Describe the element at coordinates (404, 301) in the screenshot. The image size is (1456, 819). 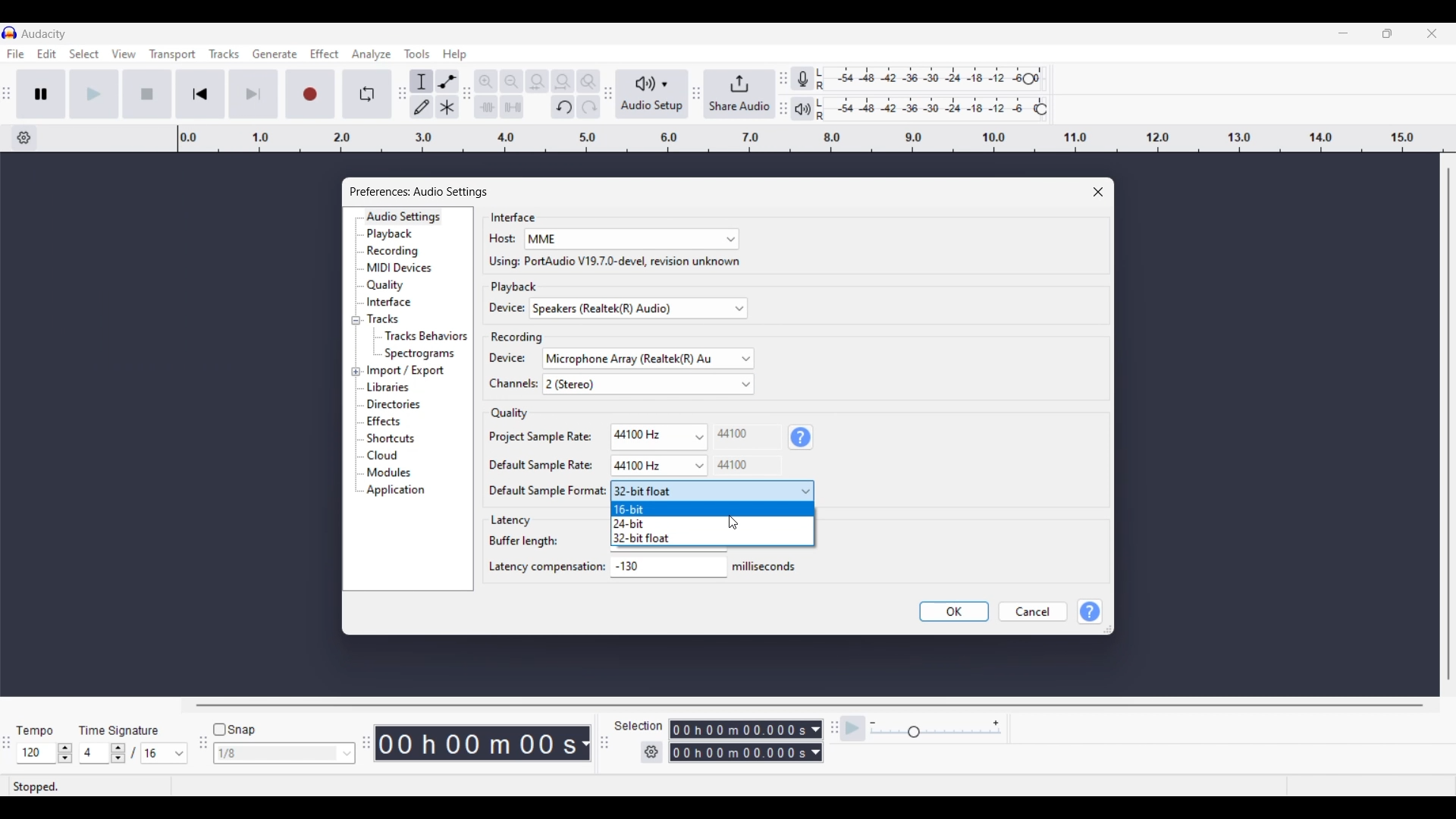
I see `Interface` at that location.